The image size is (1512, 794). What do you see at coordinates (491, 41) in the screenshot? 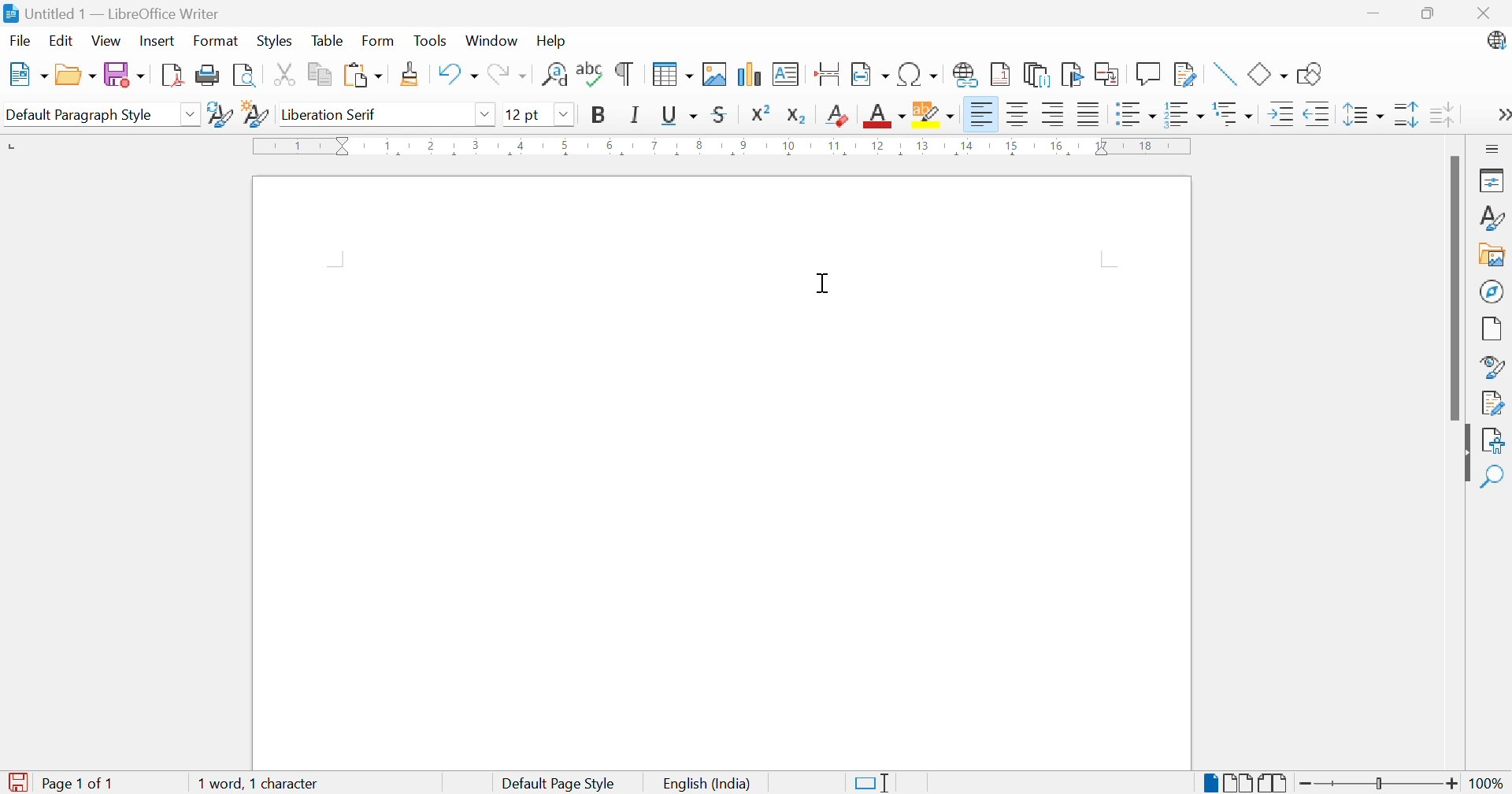
I see `Window` at bounding box center [491, 41].